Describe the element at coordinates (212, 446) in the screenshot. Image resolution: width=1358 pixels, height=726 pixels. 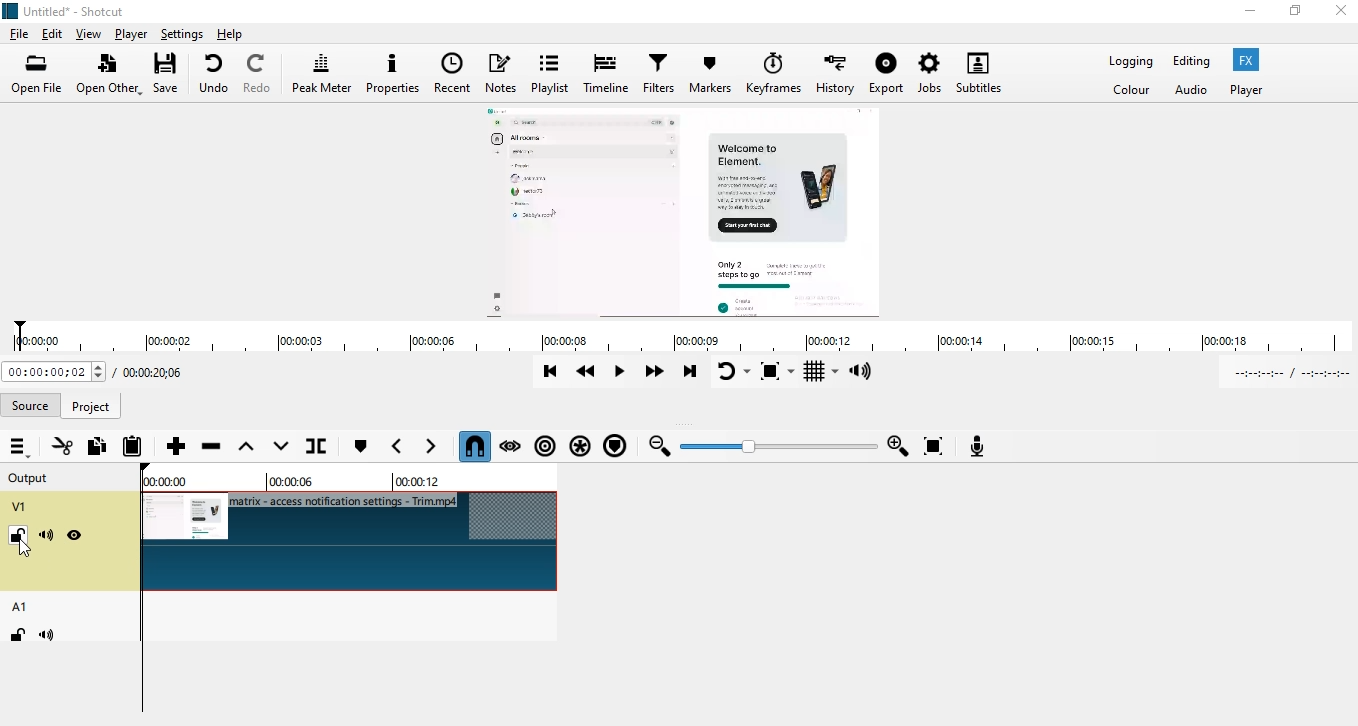
I see `Ripple delete` at that location.